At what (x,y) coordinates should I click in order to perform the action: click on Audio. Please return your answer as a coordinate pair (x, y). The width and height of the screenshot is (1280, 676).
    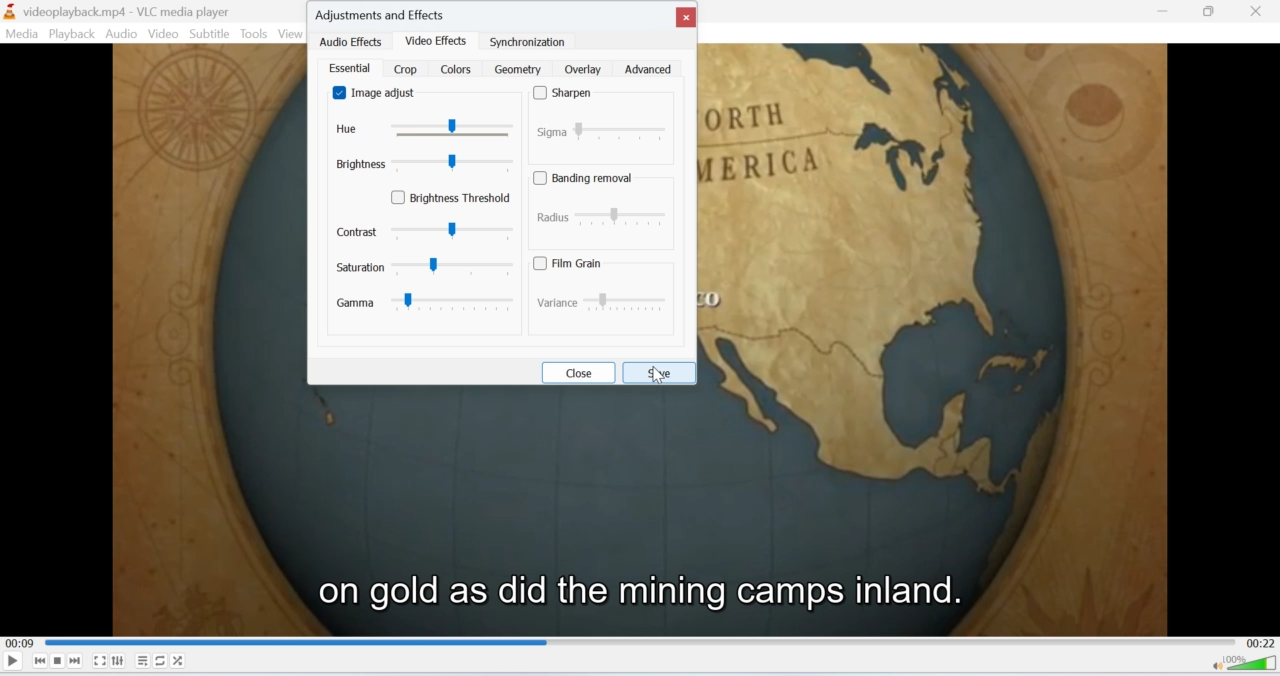
    Looking at the image, I should click on (122, 33).